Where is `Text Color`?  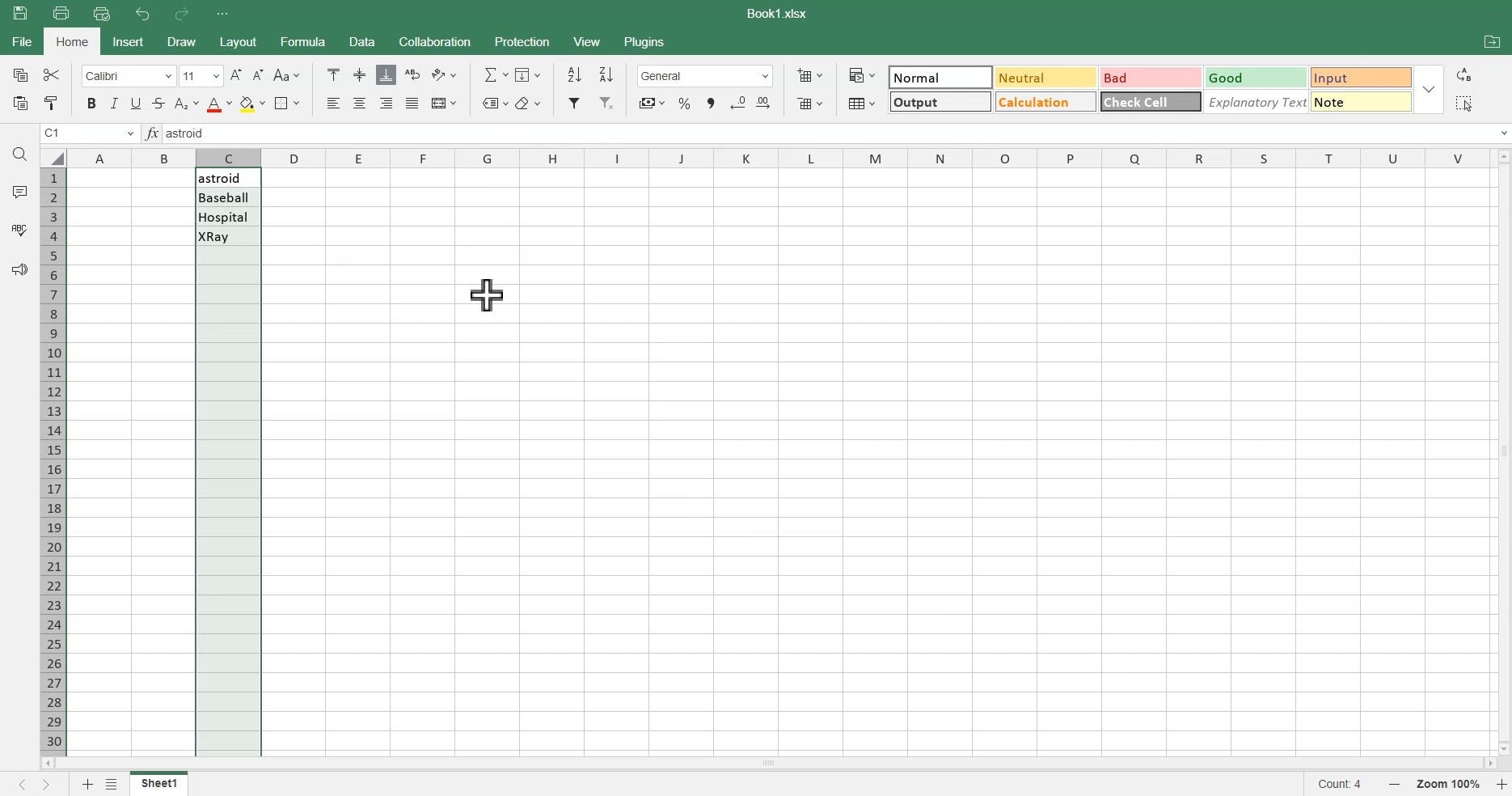 Text Color is located at coordinates (218, 103).